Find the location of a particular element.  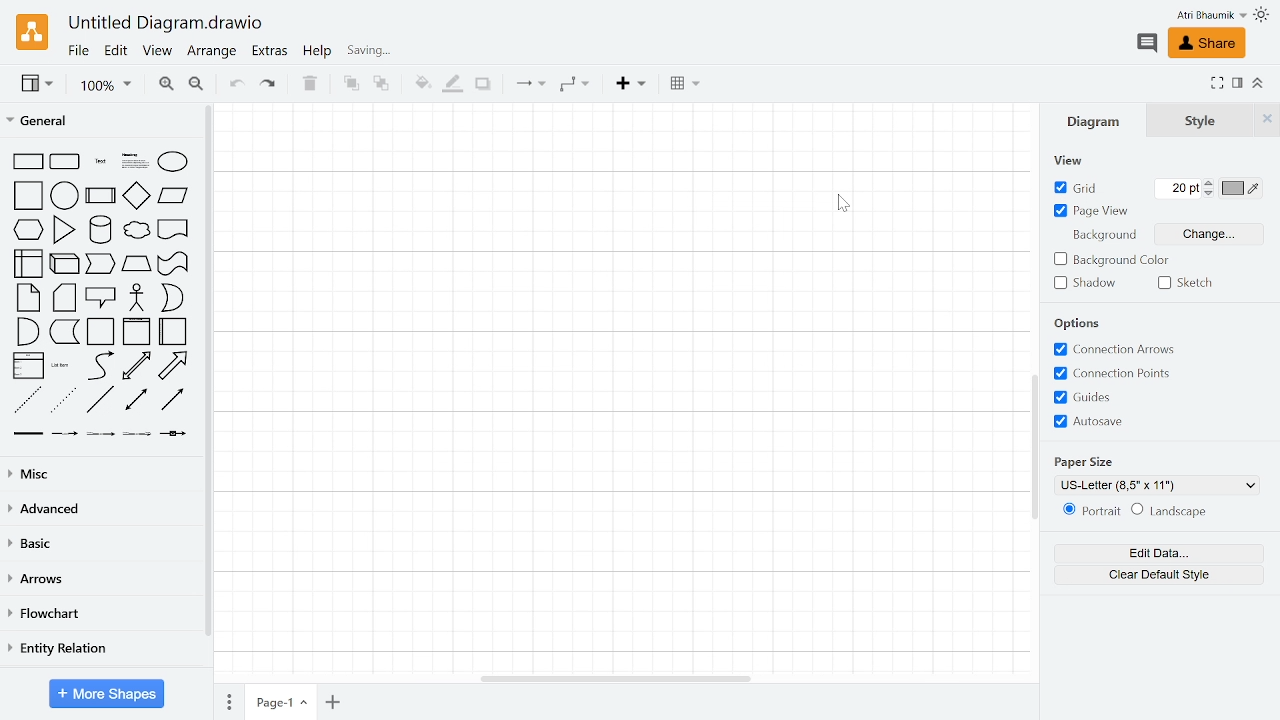

To back is located at coordinates (378, 86).